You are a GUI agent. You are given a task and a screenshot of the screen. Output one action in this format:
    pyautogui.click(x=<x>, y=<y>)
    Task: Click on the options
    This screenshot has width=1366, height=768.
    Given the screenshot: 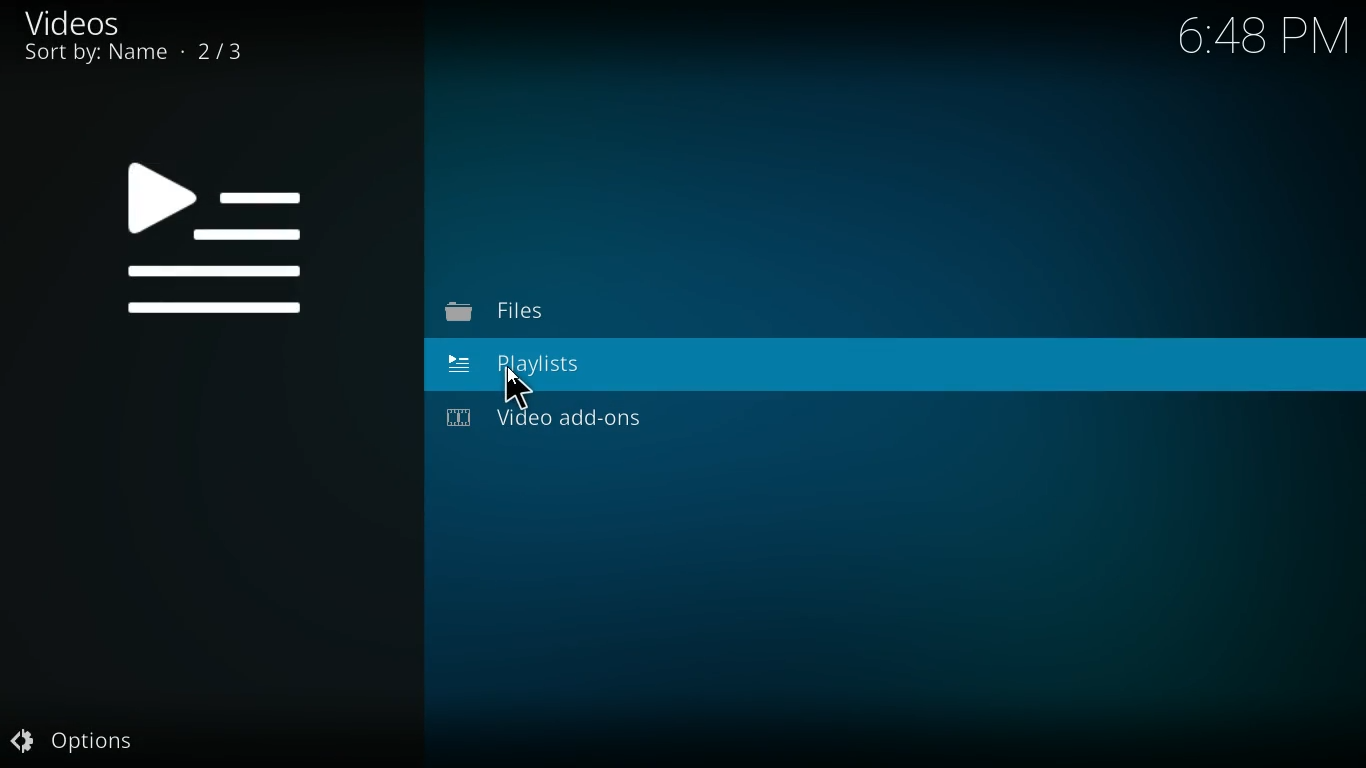 What is the action you would take?
    pyautogui.click(x=73, y=744)
    